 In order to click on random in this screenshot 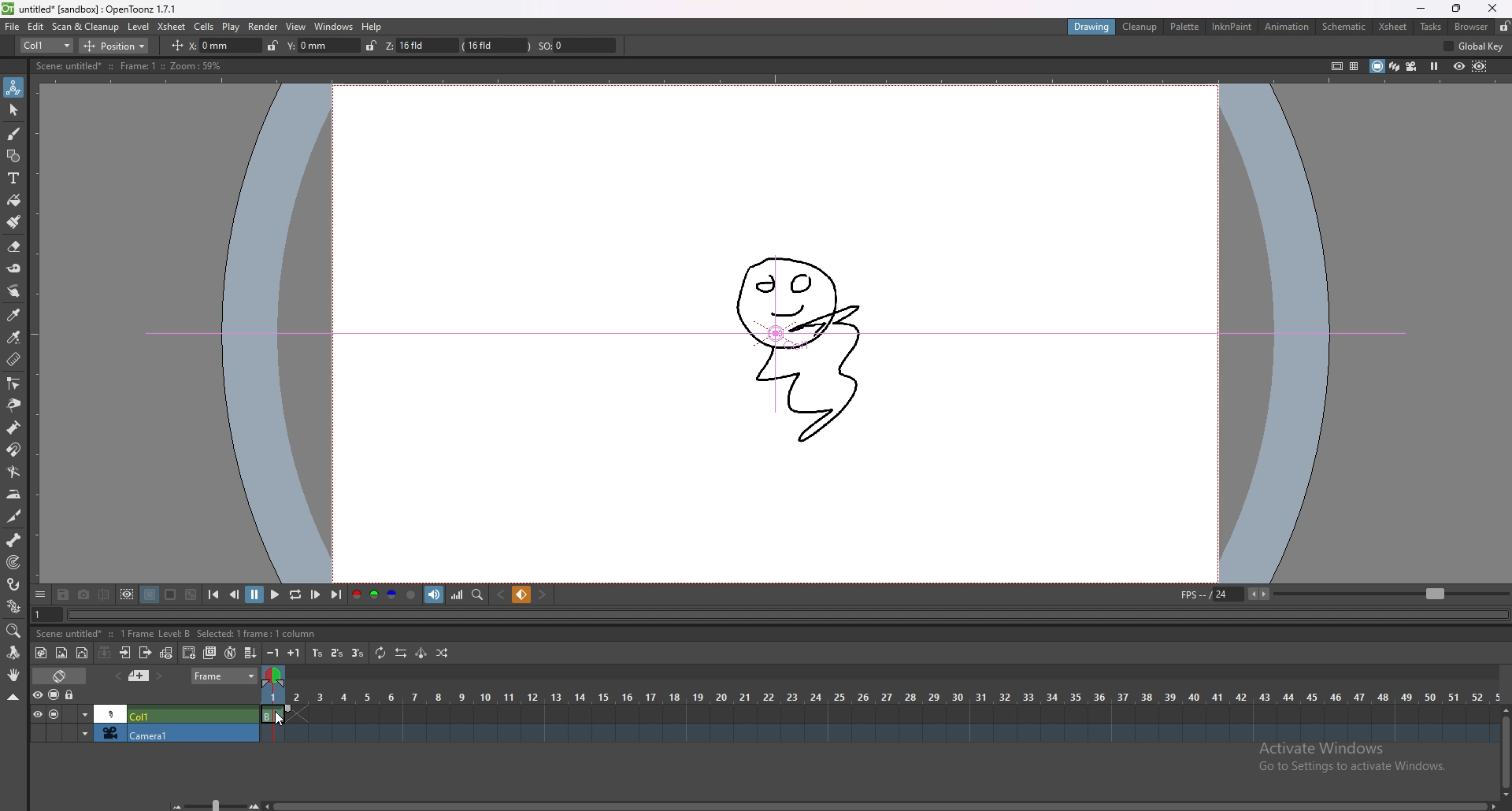, I will do `click(443, 654)`.